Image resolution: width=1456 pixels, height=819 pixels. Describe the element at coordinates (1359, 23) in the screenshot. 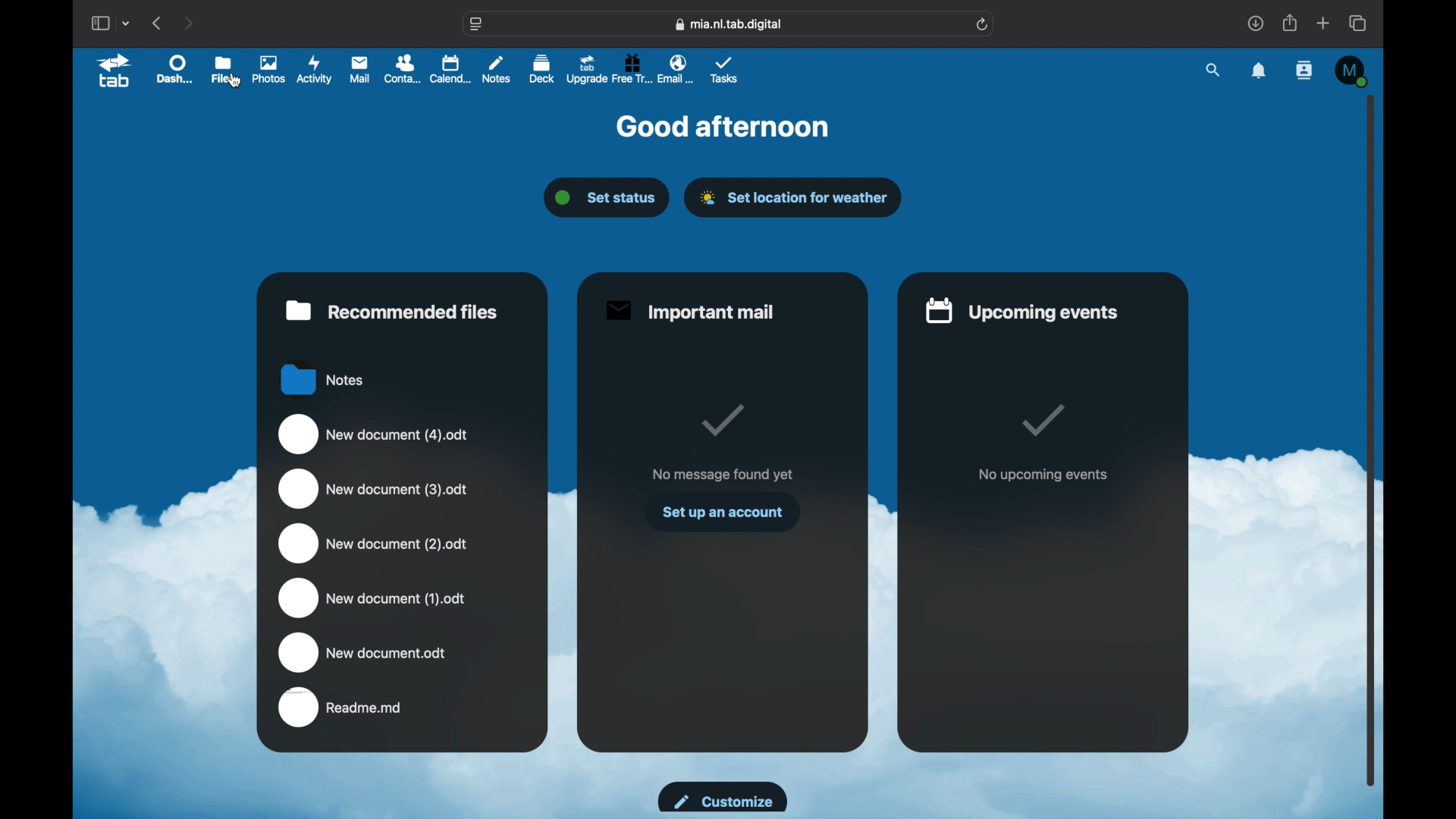

I see `show tab overview` at that location.